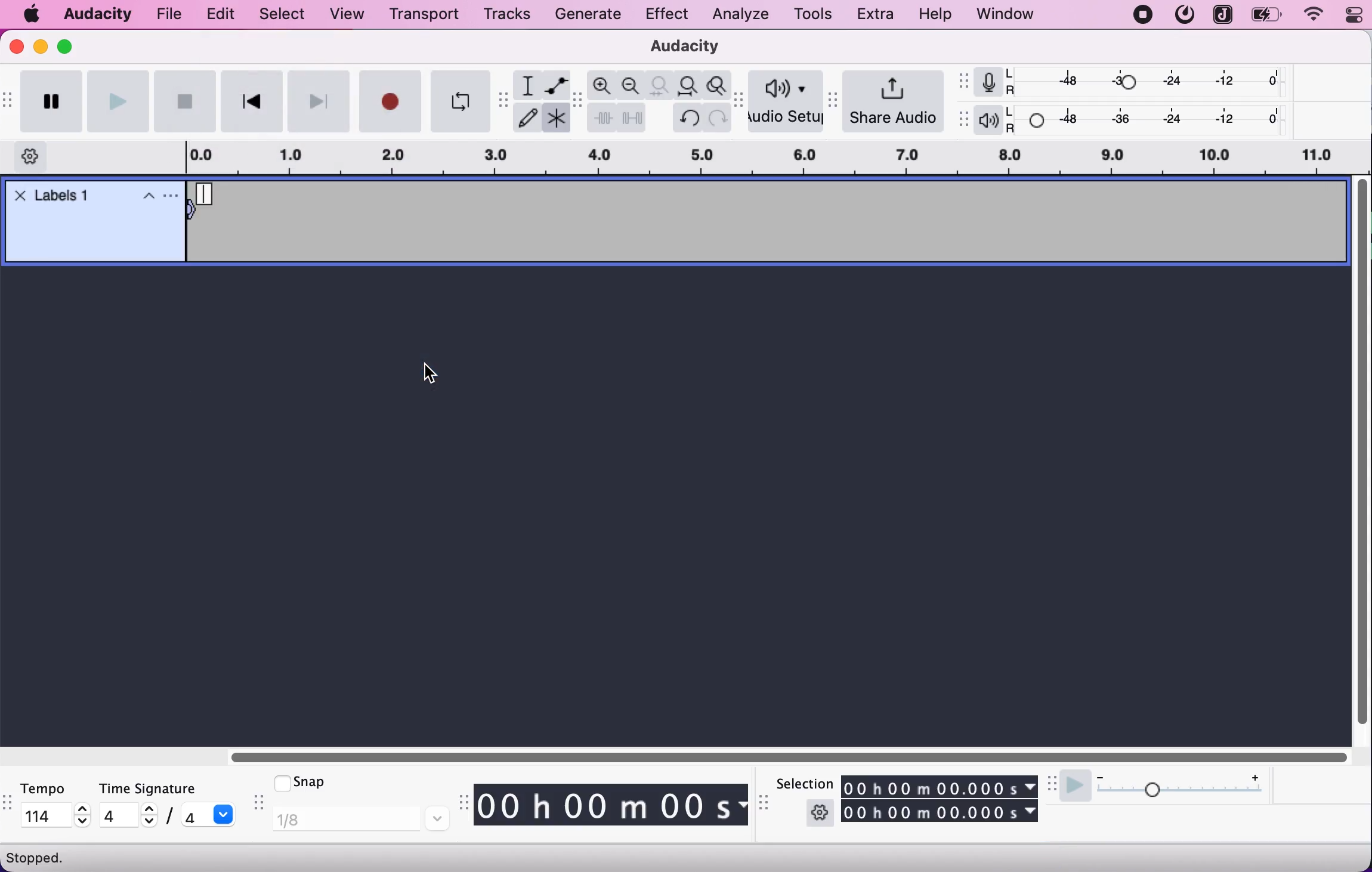  I want to click on zoom out, so click(632, 84).